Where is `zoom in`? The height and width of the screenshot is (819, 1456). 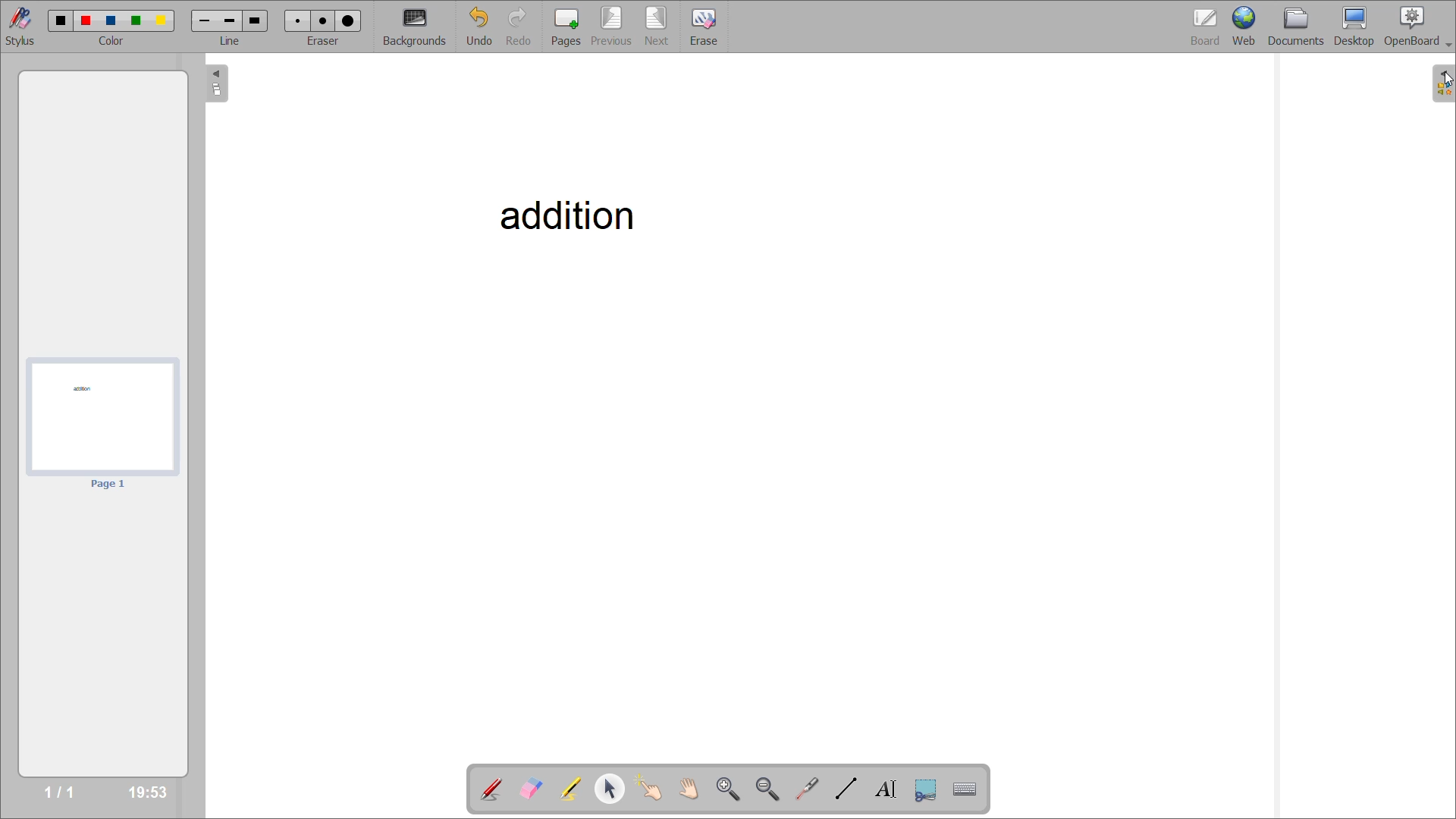
zoom in is located at coordinates (729, 787).